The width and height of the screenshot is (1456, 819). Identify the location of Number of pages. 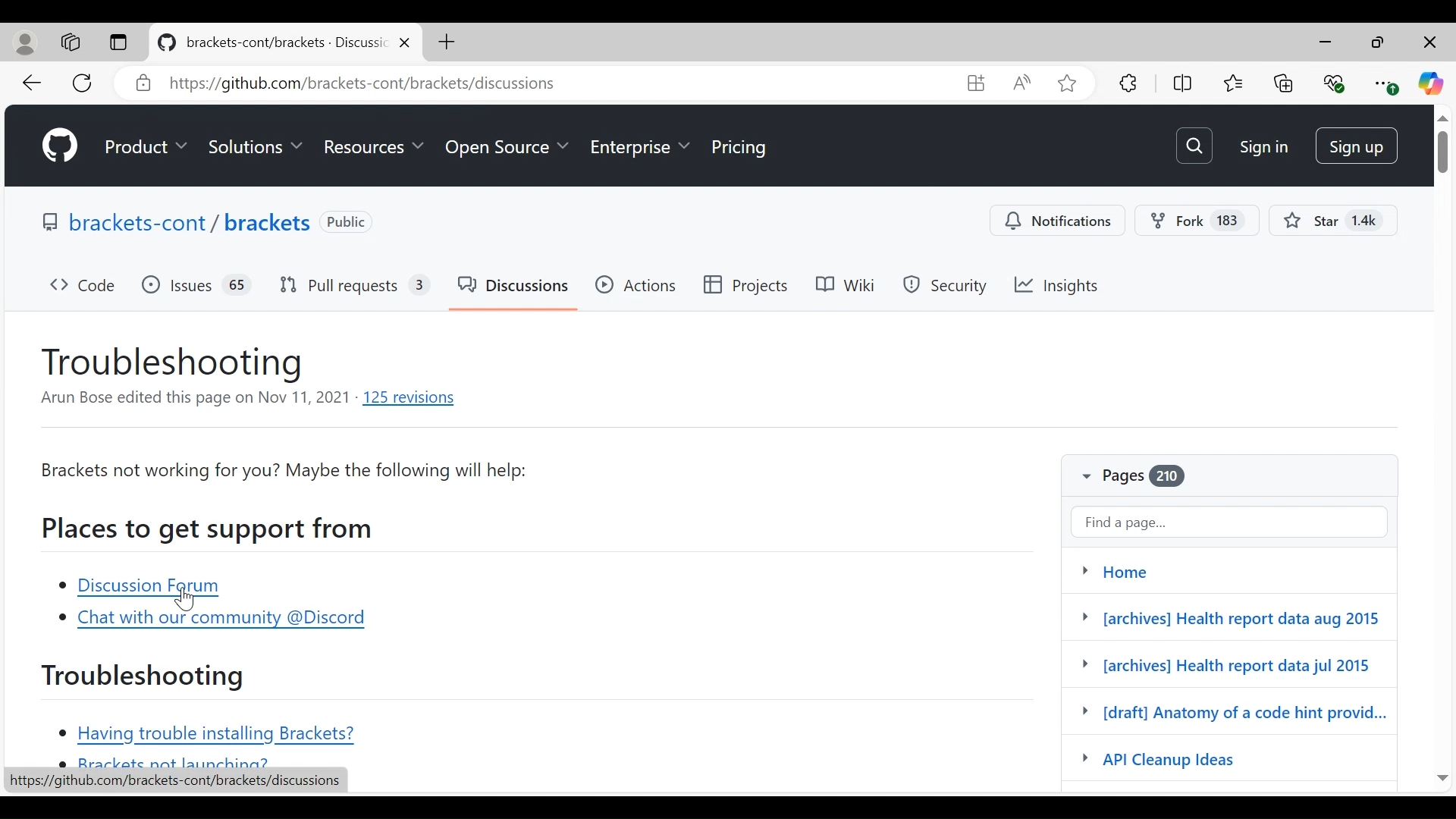
(1157, 478).